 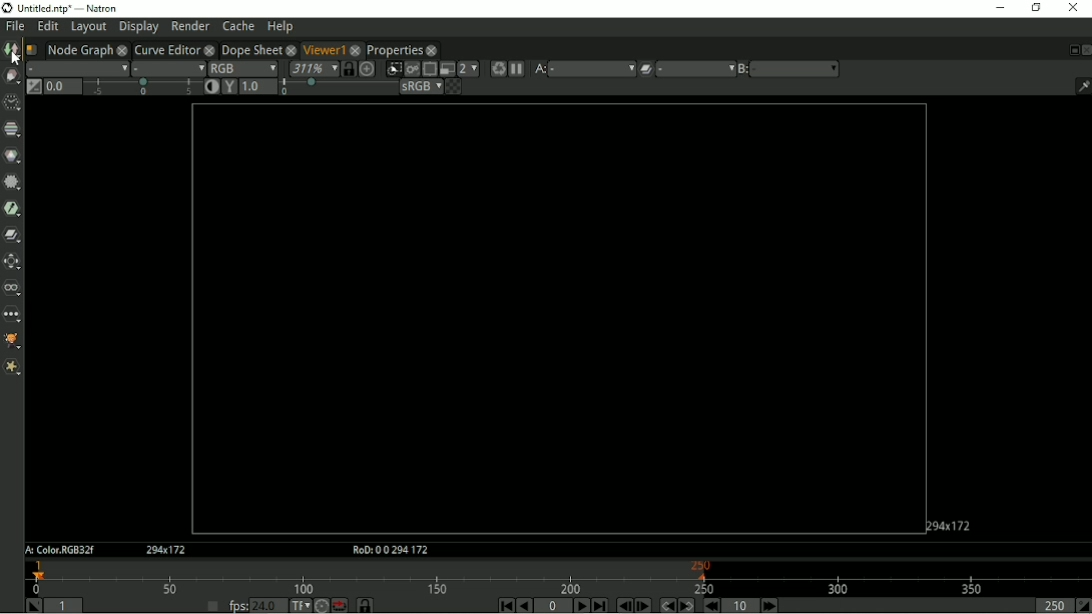 I want to click on Next frame, so click(x=644, y=605).